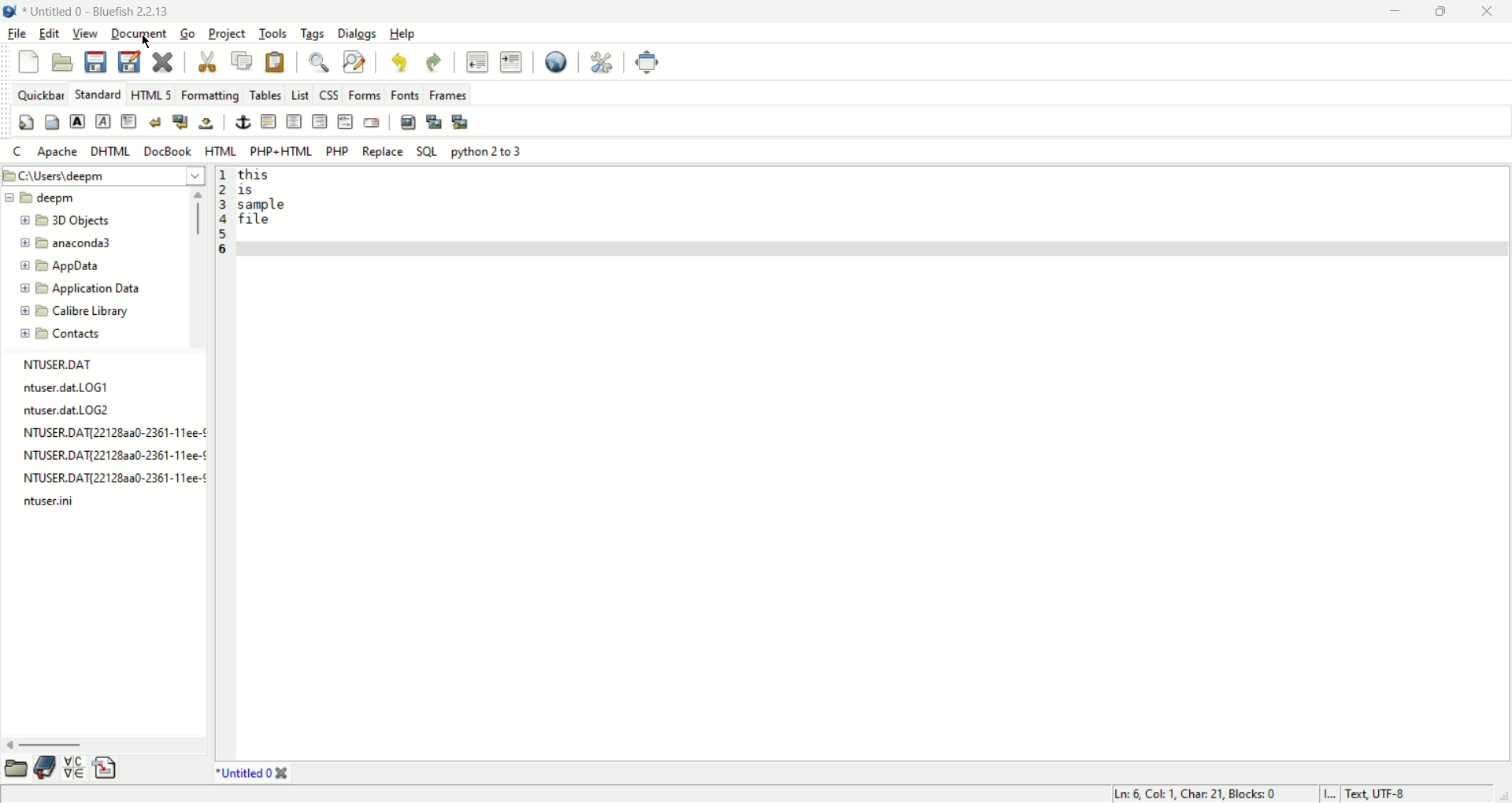  What do you see at coordinates (319, 122) in the screenshot?
I see `right justify` at bounding box center [319, 122].